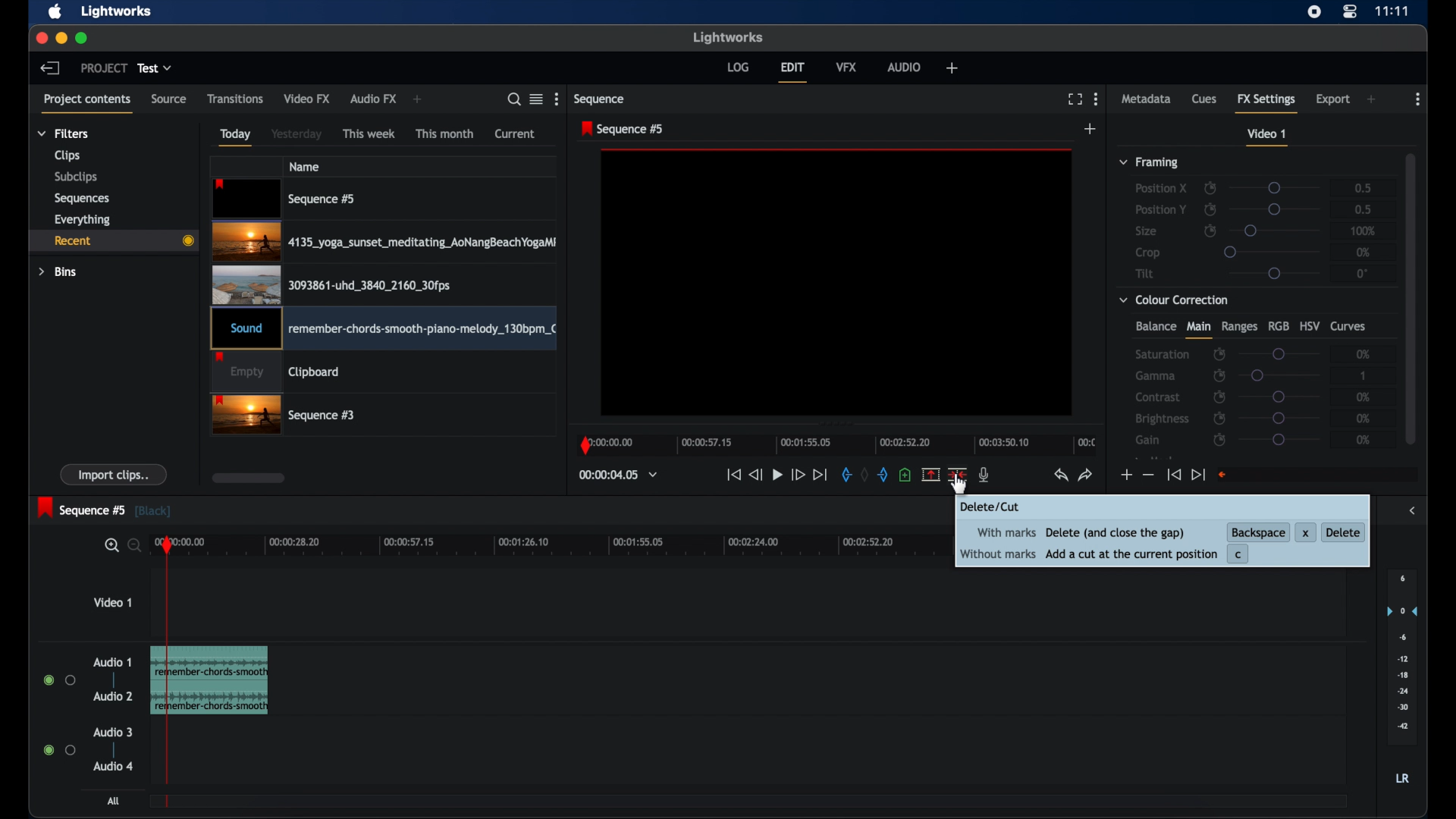 Image resolution: width=1456 pixels, height=819 pixels. What do you see at coordinates (846, 67) in the screenshot?
I see `vfx` at bounding box center [846, 67].